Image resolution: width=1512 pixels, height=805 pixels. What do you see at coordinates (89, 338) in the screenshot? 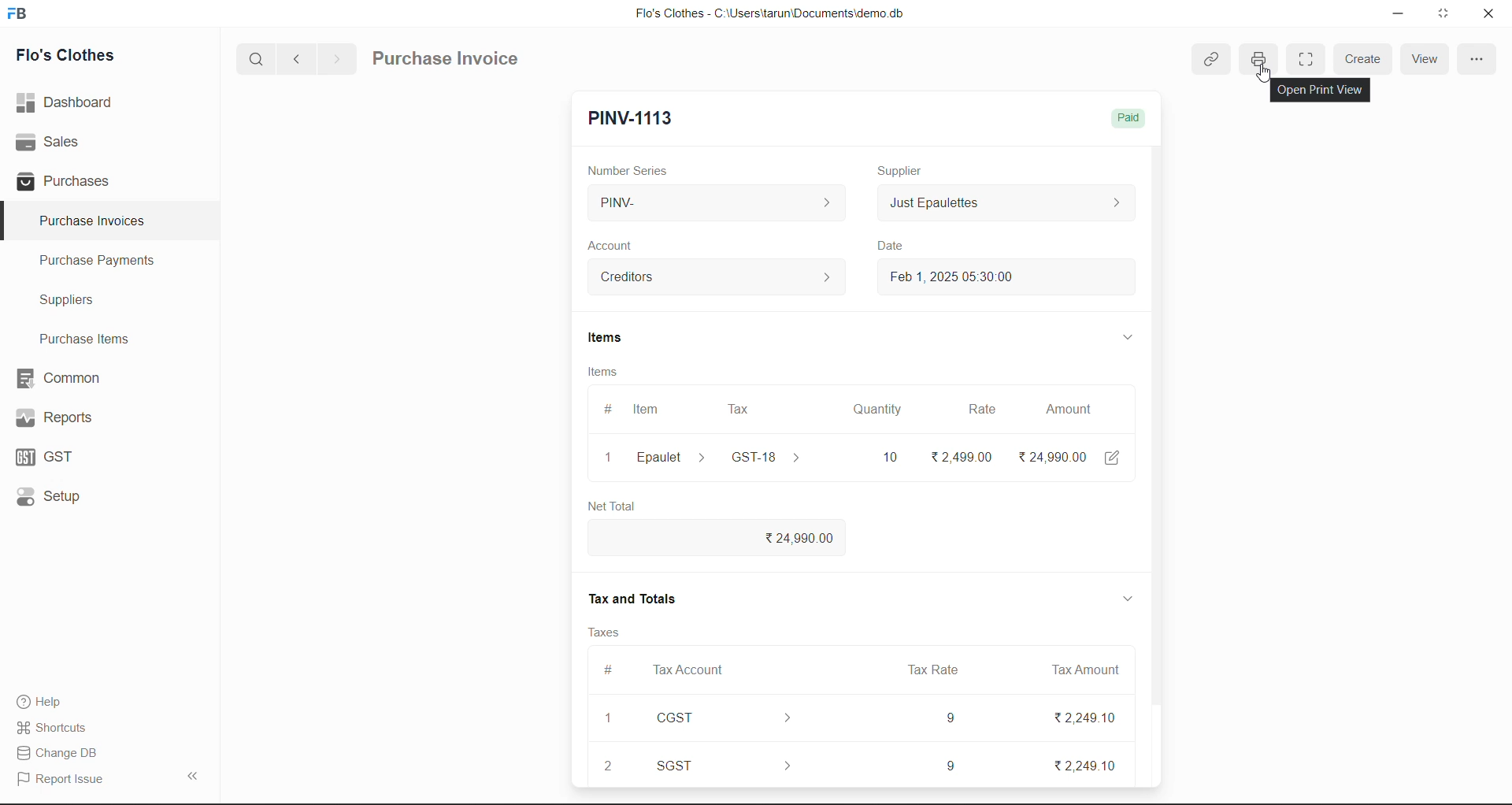
I see `Purchase Items` at bounding box center [89, 338].